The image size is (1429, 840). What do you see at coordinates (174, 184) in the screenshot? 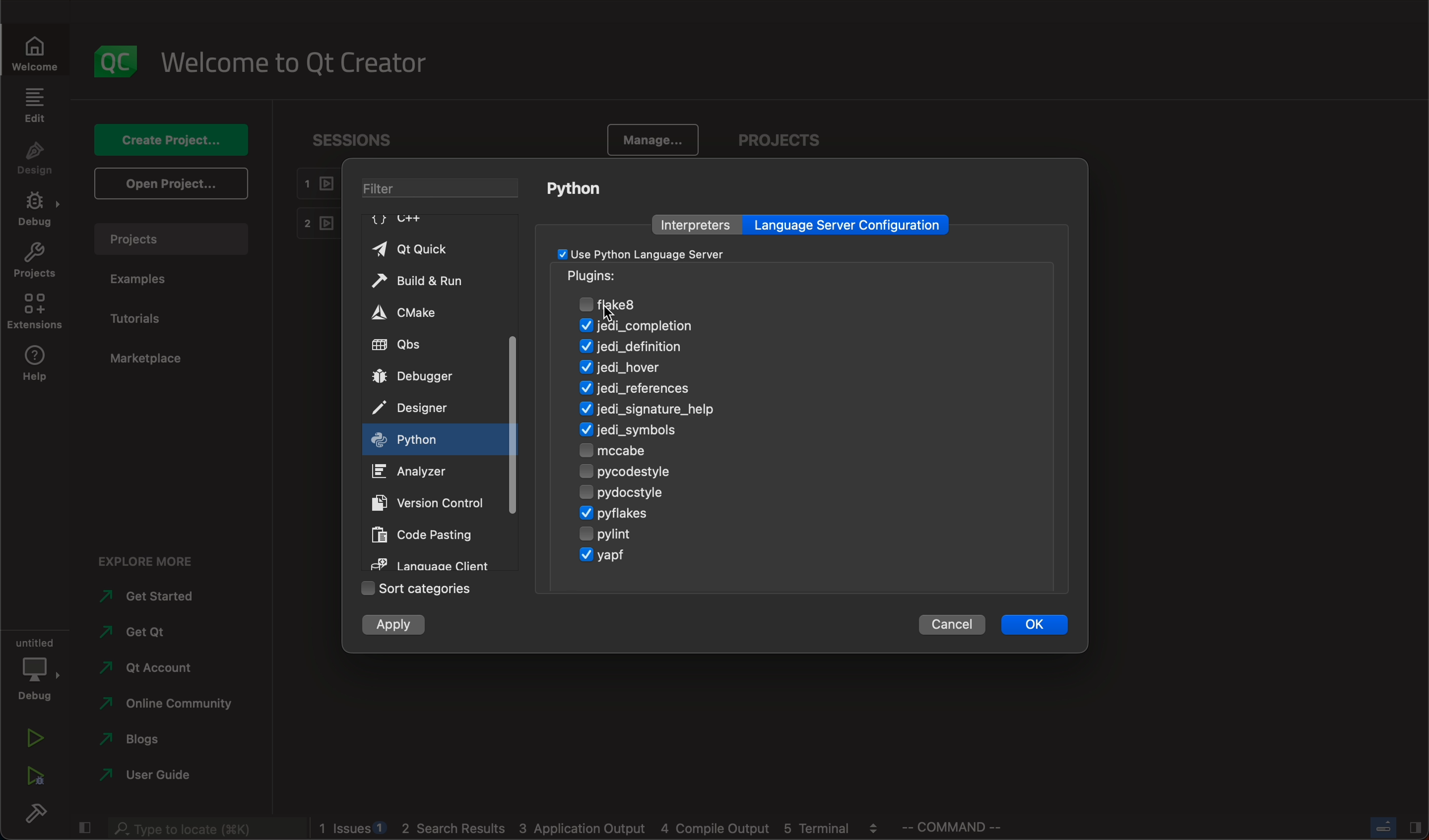
I see `open` at bounding box center [174, 184].